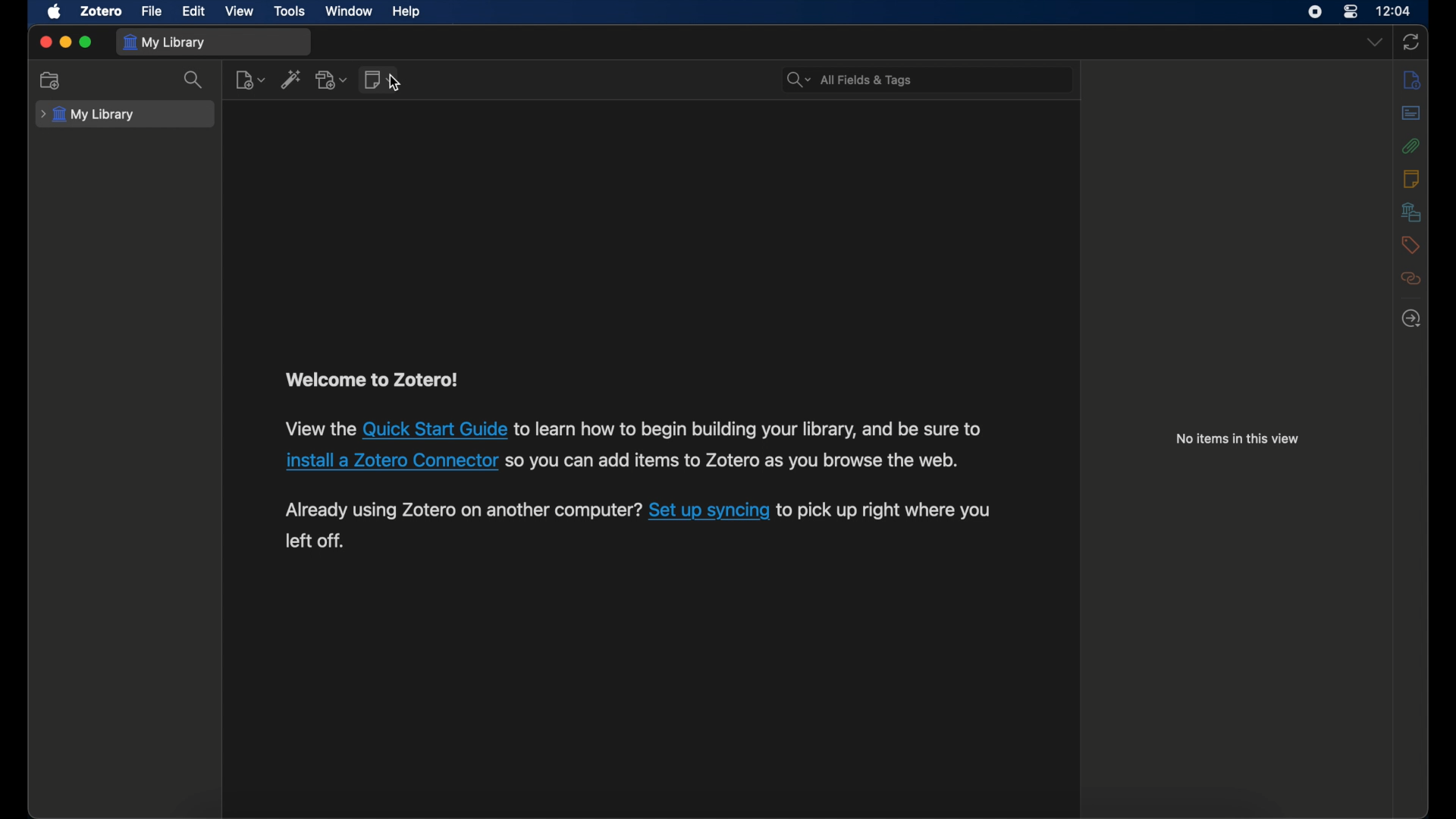  Describe the element at coordinates (165, 42) in the screenshot. I see `my library` at that location.